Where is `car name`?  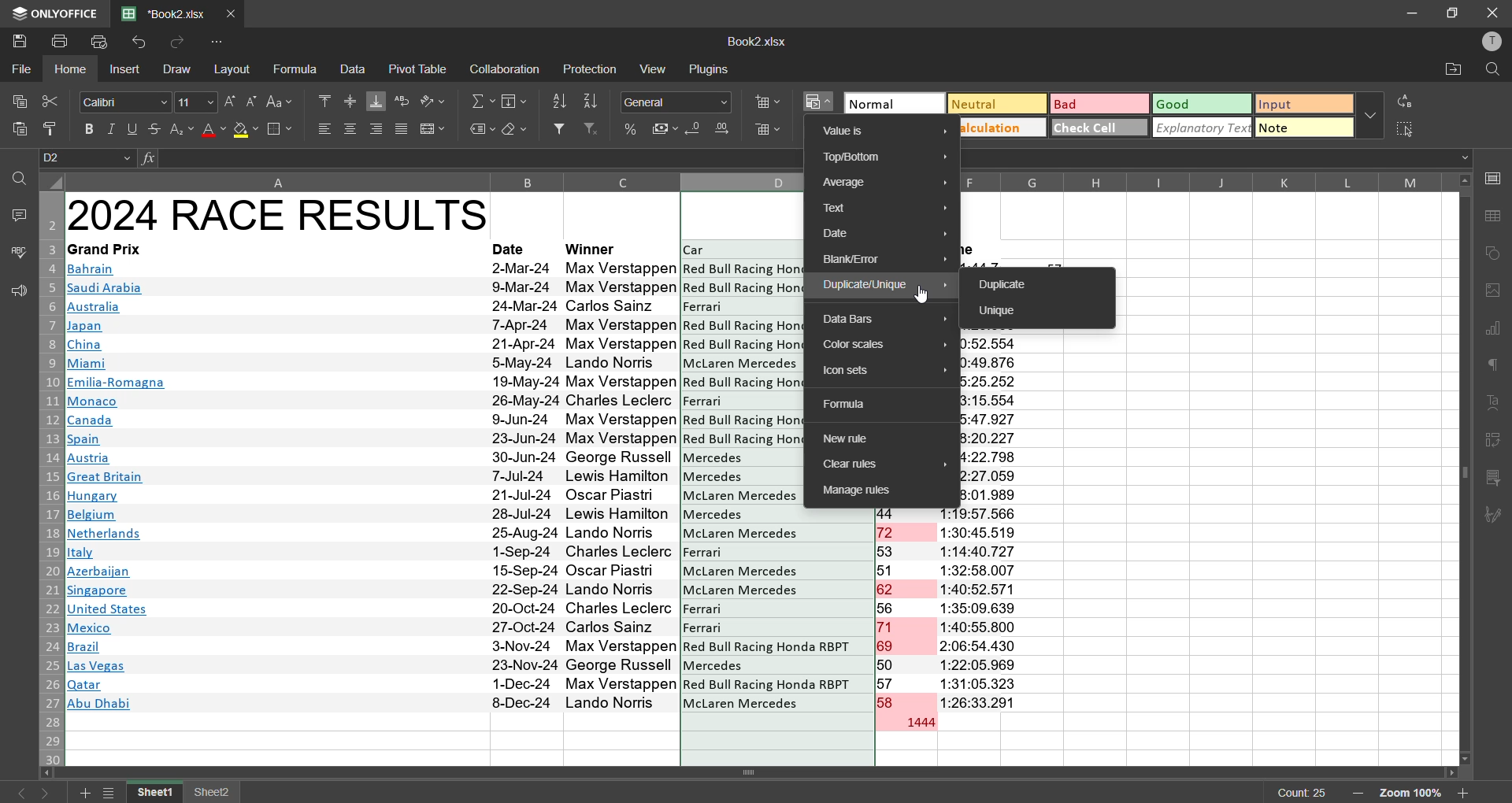
car name is located at coordinates (704, 305).